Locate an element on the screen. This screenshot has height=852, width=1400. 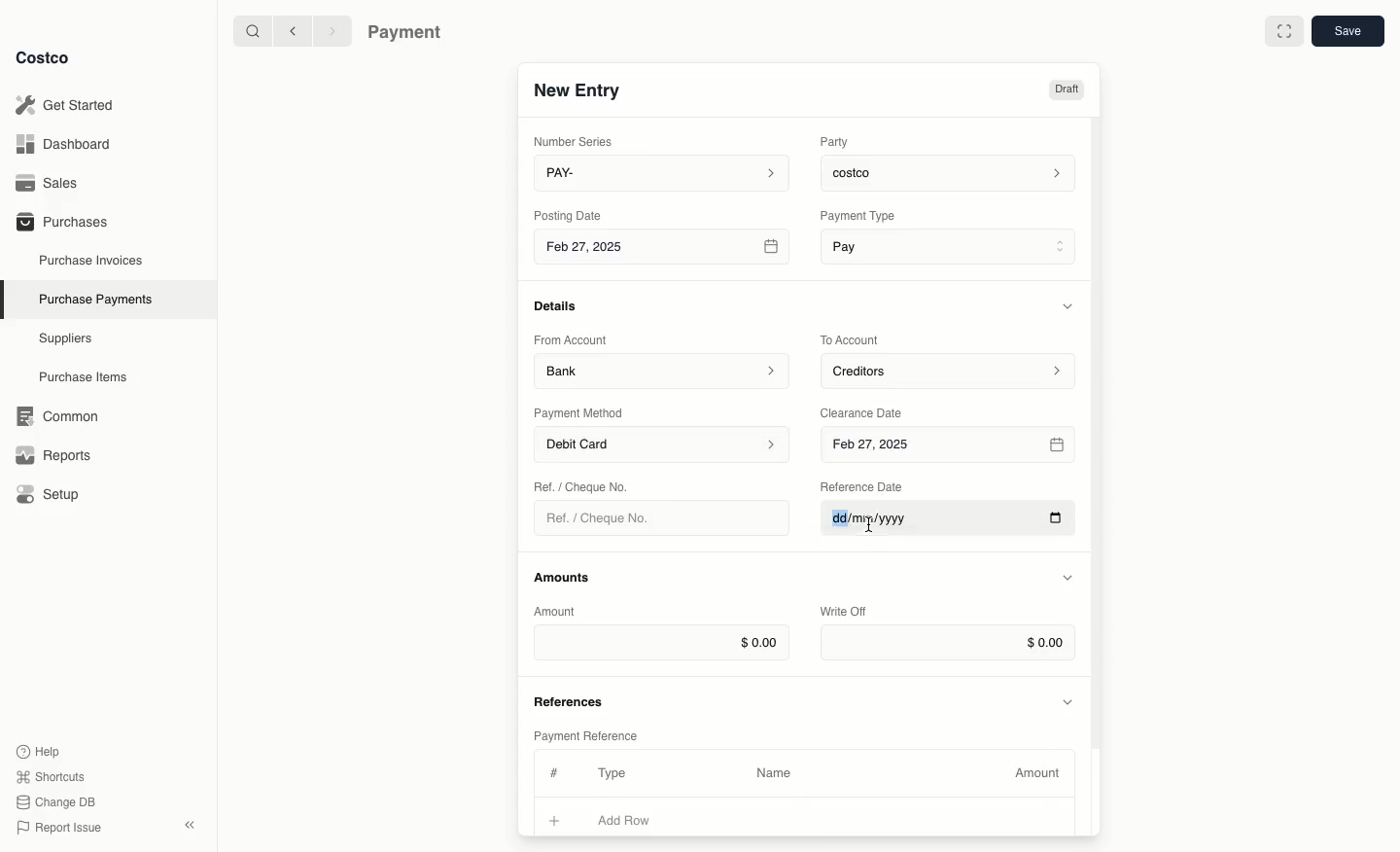
Name is located at coordinates (774, 773).